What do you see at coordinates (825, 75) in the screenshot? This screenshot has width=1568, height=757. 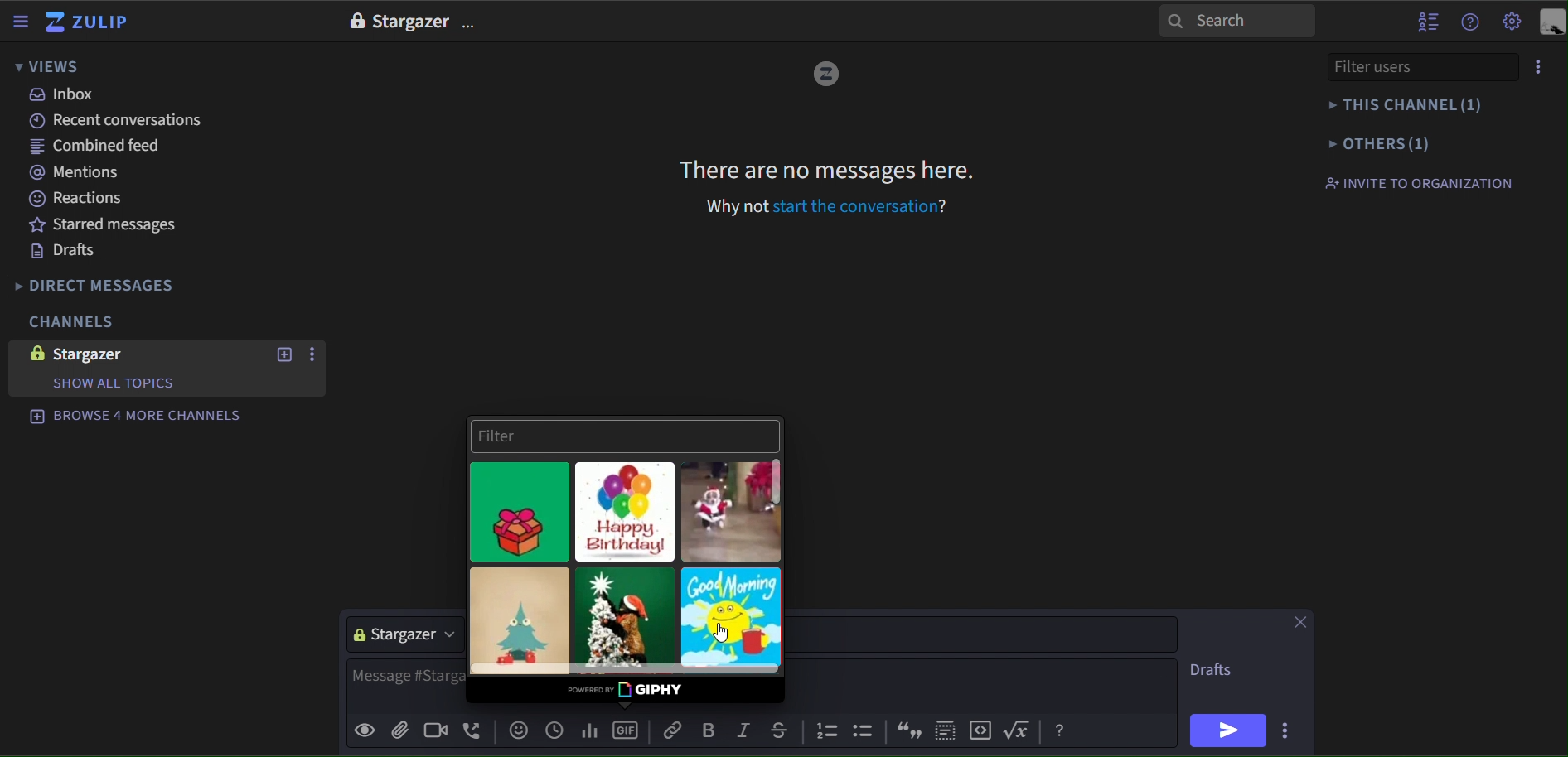 I see `image` at bounding box center [825, 75].